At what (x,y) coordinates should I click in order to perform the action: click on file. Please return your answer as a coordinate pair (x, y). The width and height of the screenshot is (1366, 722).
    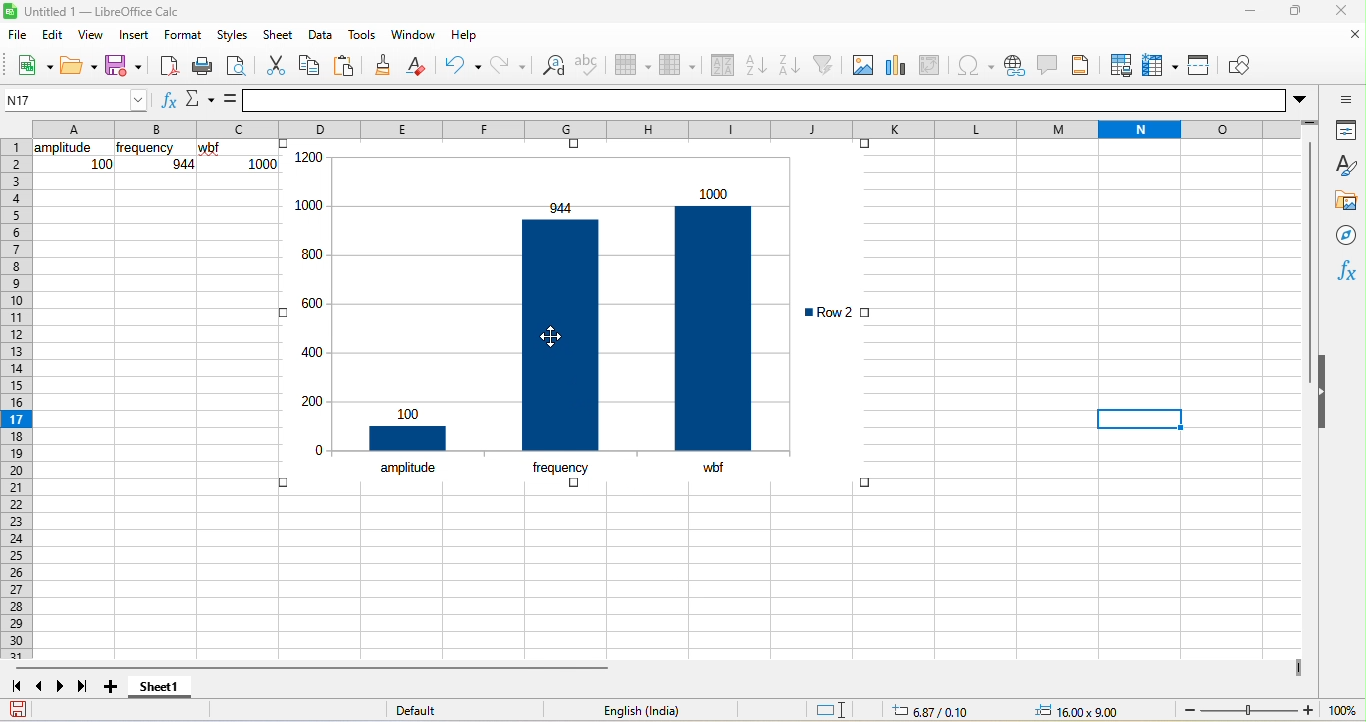
    Looking at the image, I should click on (21, 37).